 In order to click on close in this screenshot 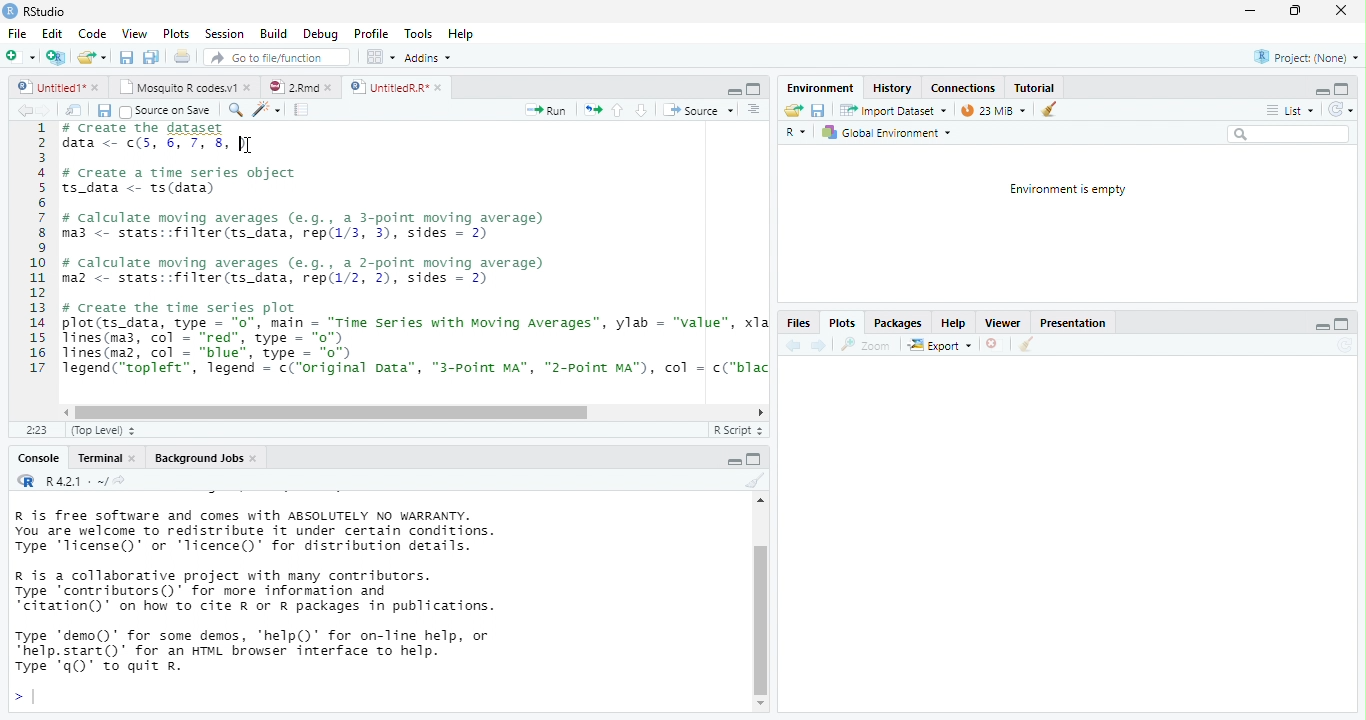, I will do `click(995, 346)`.